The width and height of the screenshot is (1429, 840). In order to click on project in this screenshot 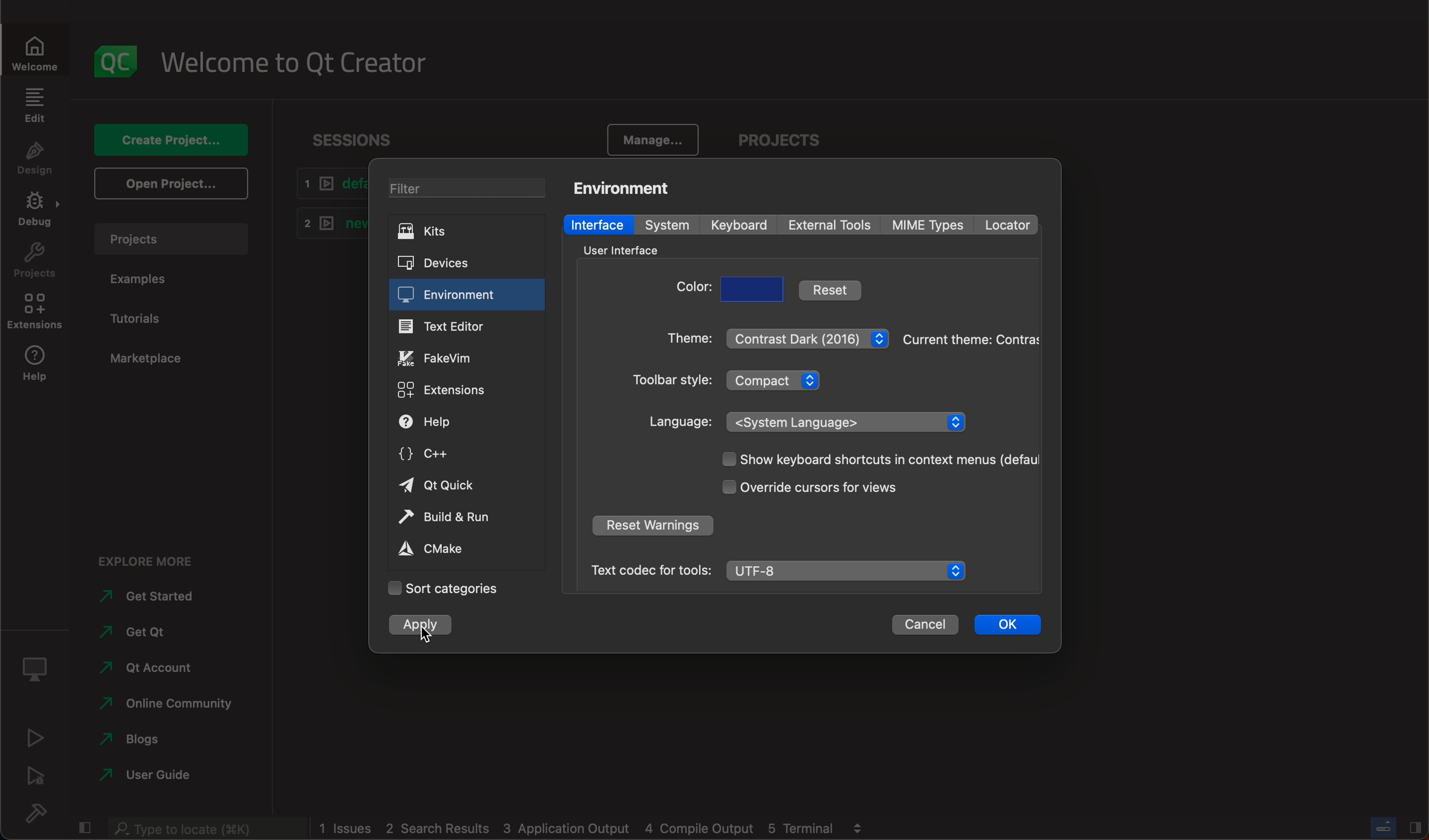, I will do `click(170, 236)`.